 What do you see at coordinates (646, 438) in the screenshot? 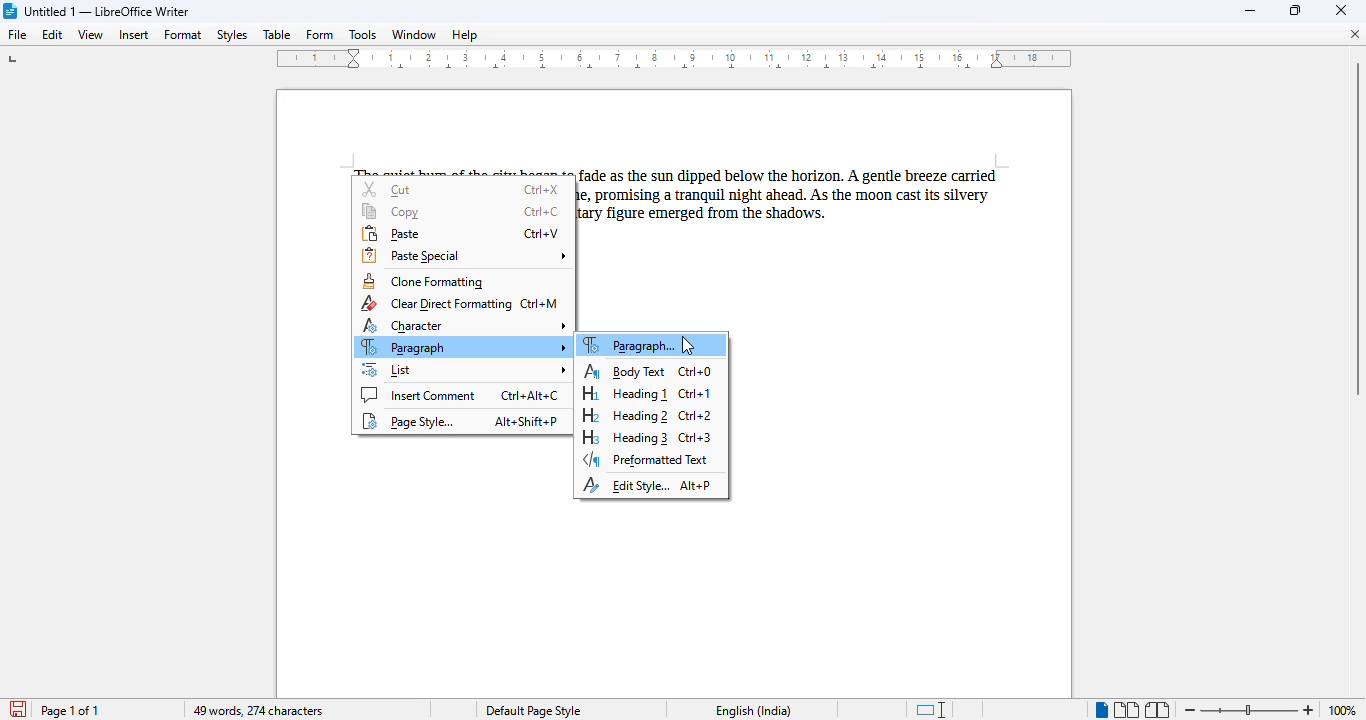
I see `heading 3` at bounding box center [646, 438].